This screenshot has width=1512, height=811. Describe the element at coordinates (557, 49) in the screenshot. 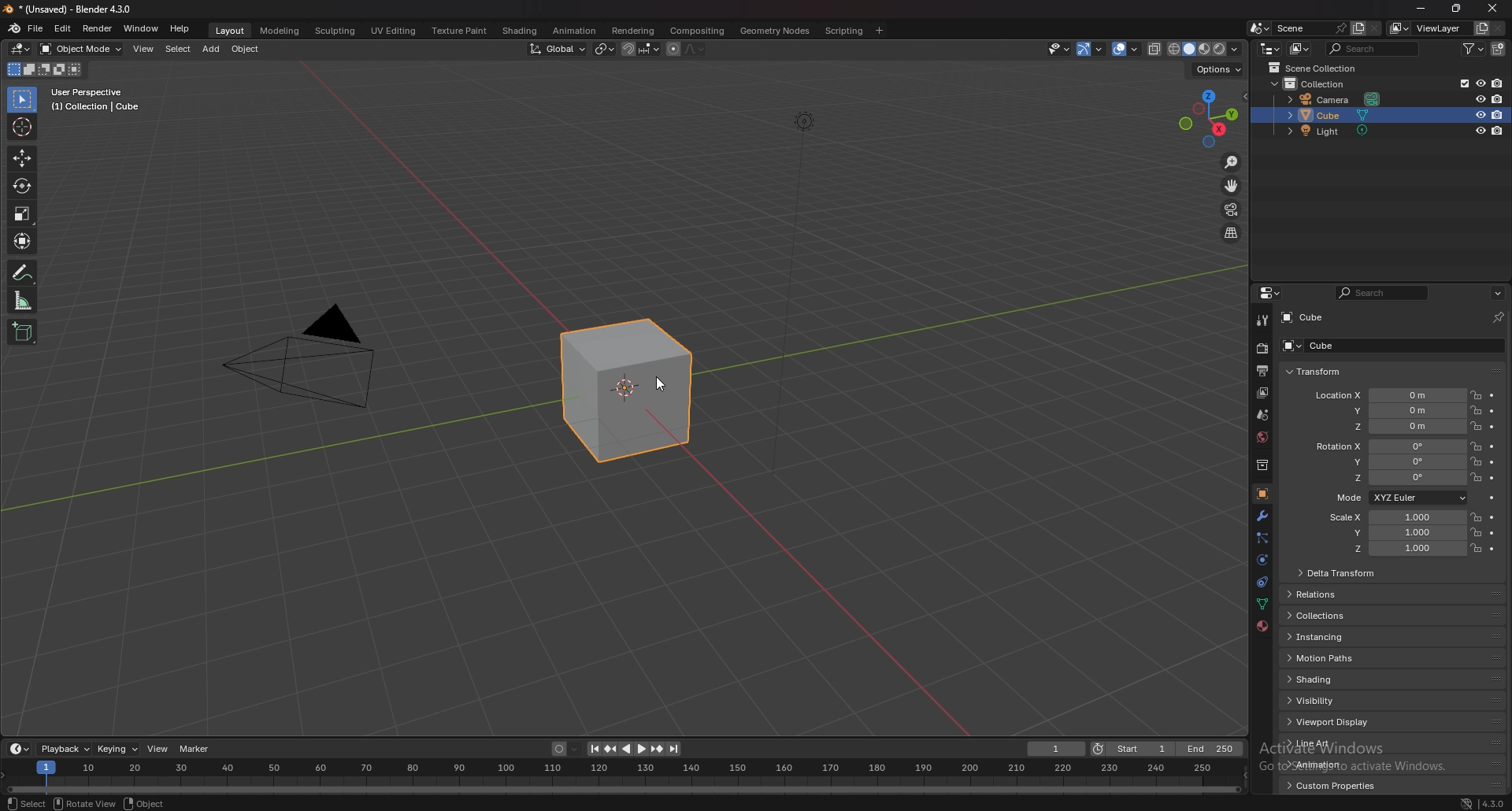

I see `transformation orientation` at that location.